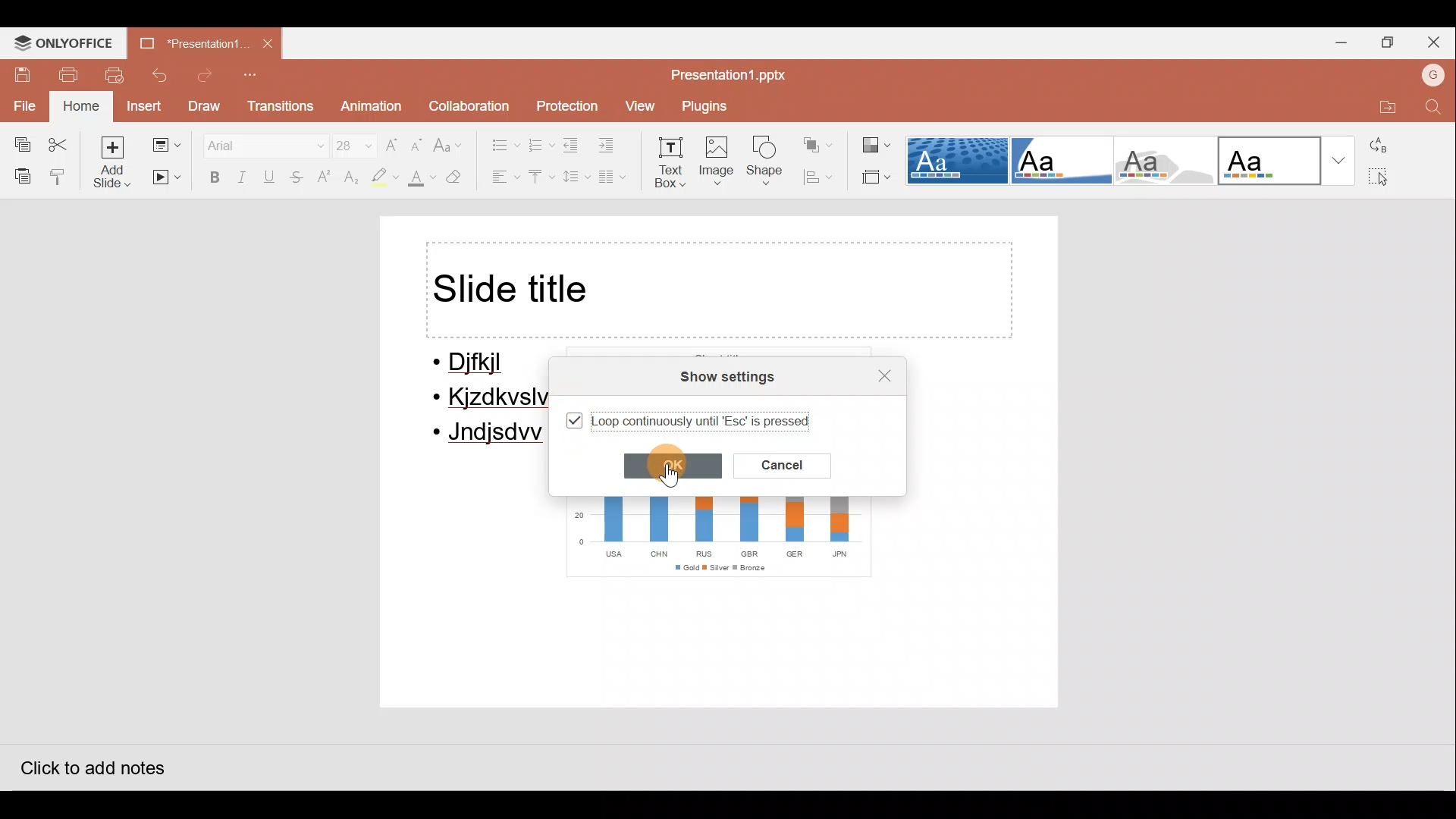  What do you see at coordinates (817, 177) in the screenshot?
I see `Align shape` at bounding box center [817, 177].